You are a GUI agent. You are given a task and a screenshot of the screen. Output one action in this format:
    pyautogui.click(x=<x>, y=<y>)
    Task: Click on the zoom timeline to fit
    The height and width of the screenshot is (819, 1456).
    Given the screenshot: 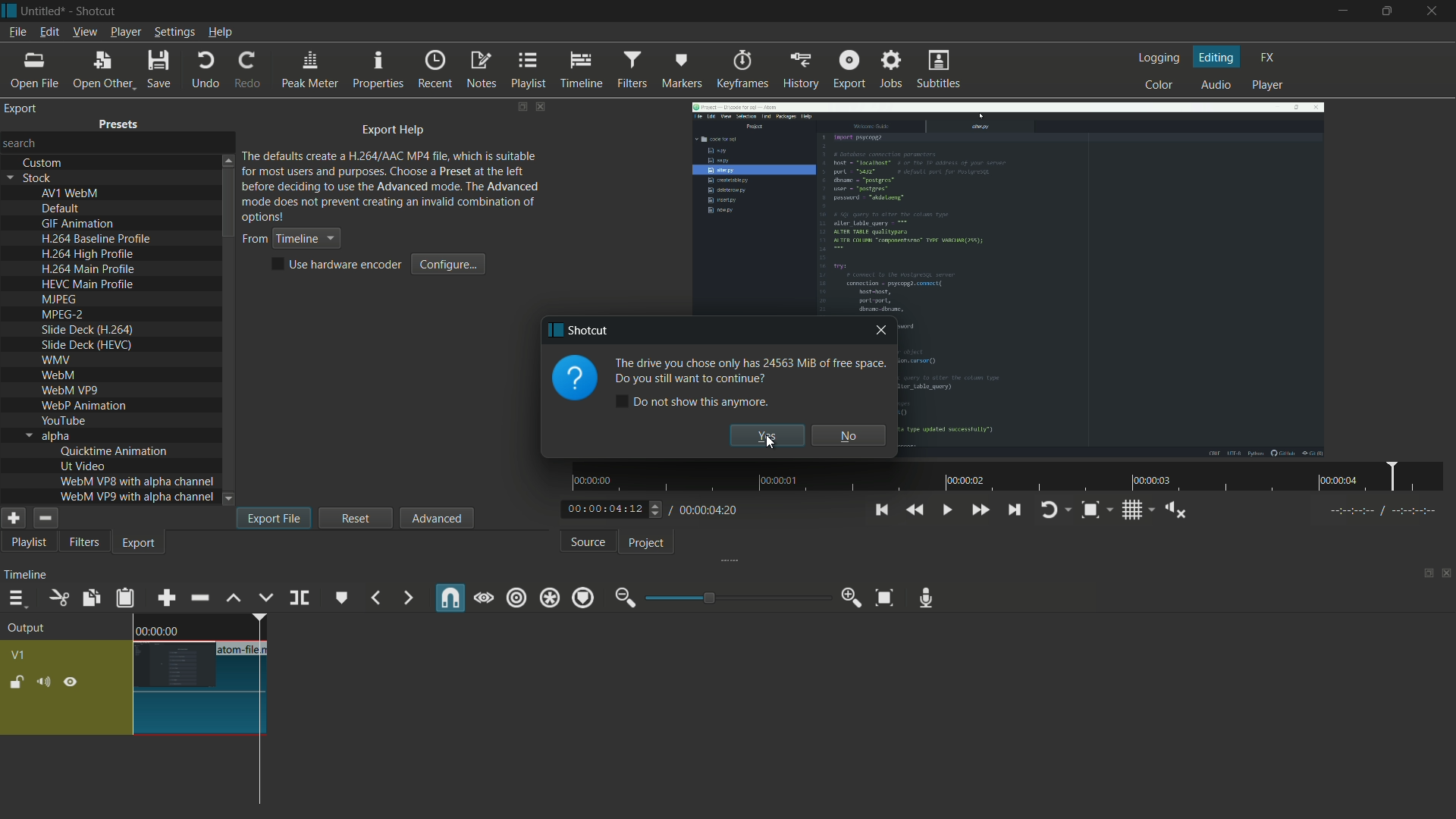 What is the action you would take?
    pyautogui.click(x=882, y=596)
    